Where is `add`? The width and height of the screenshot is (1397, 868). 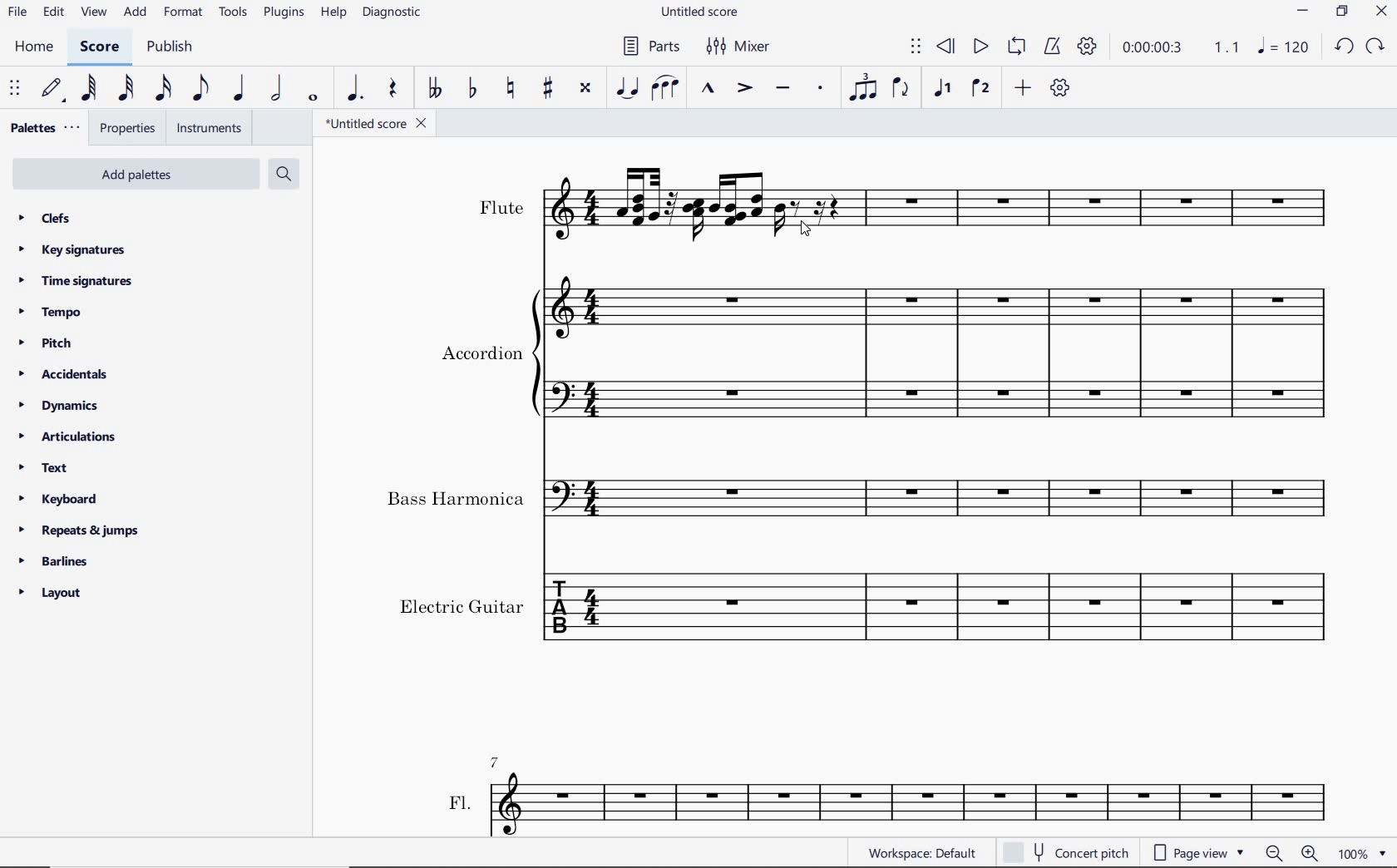
add is located at coordinates (136, 12).